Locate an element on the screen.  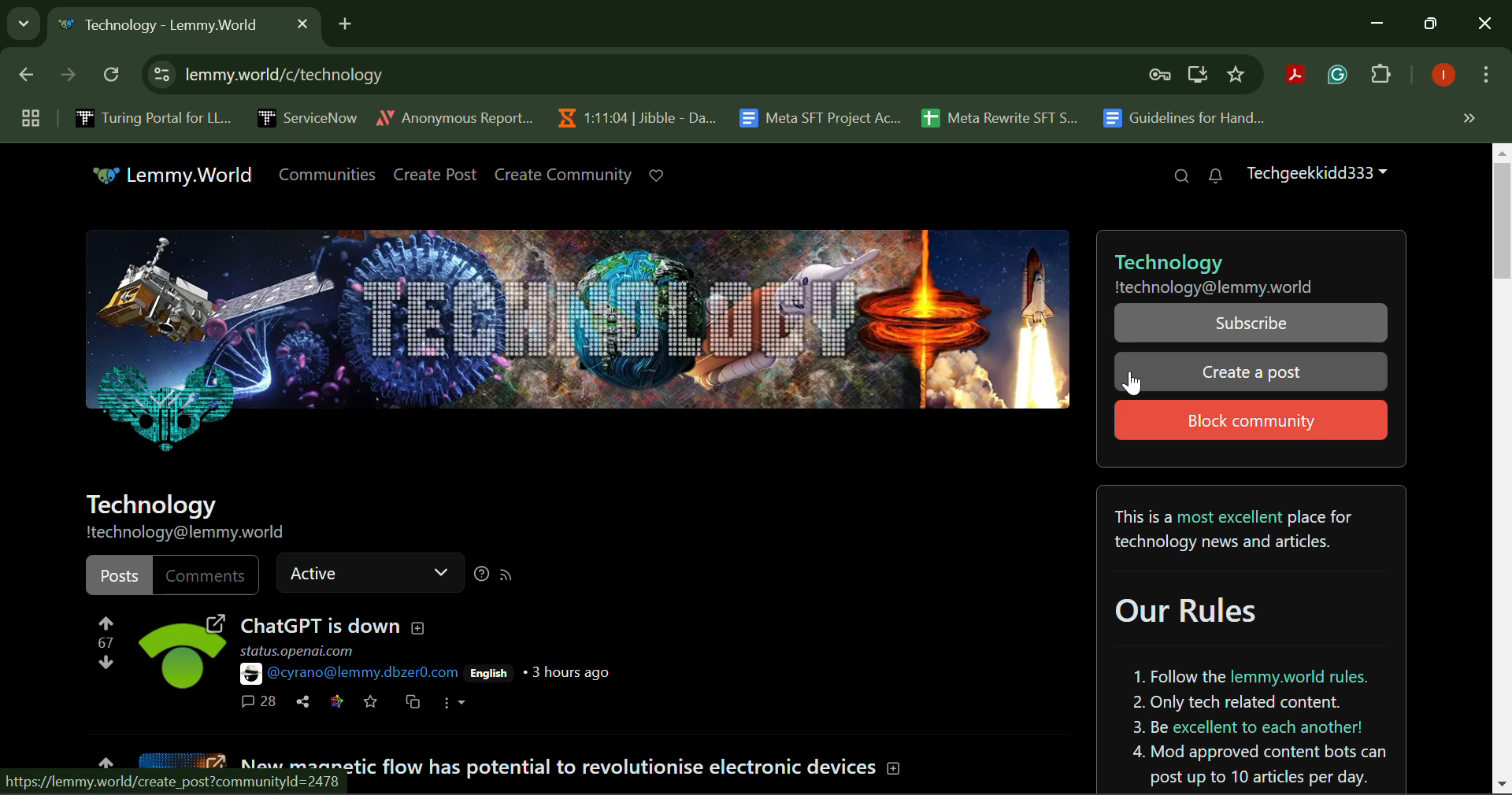
Cursor on Create a post button is located at coordinates (1249, 373).